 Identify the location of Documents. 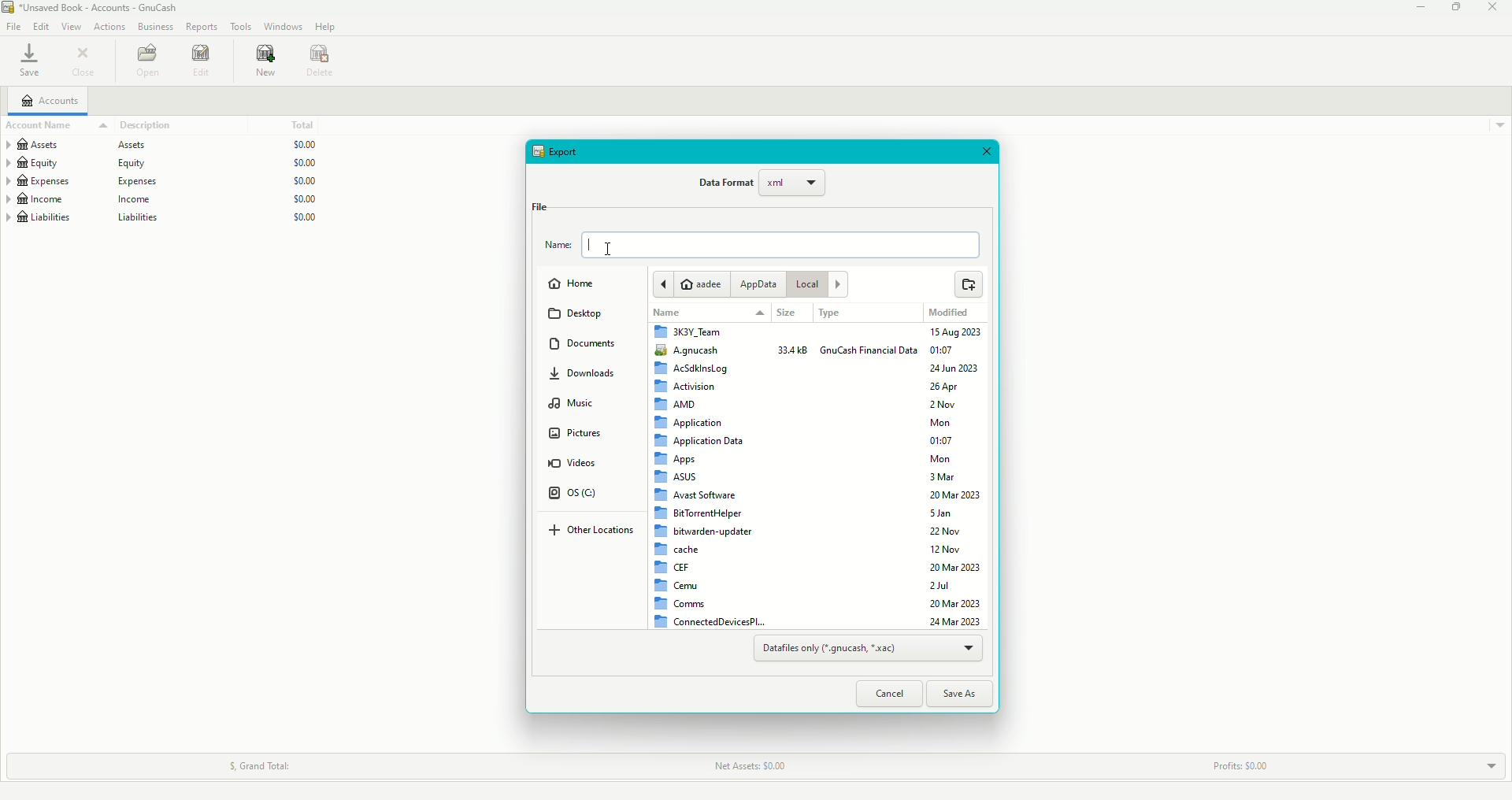
(590, 346).